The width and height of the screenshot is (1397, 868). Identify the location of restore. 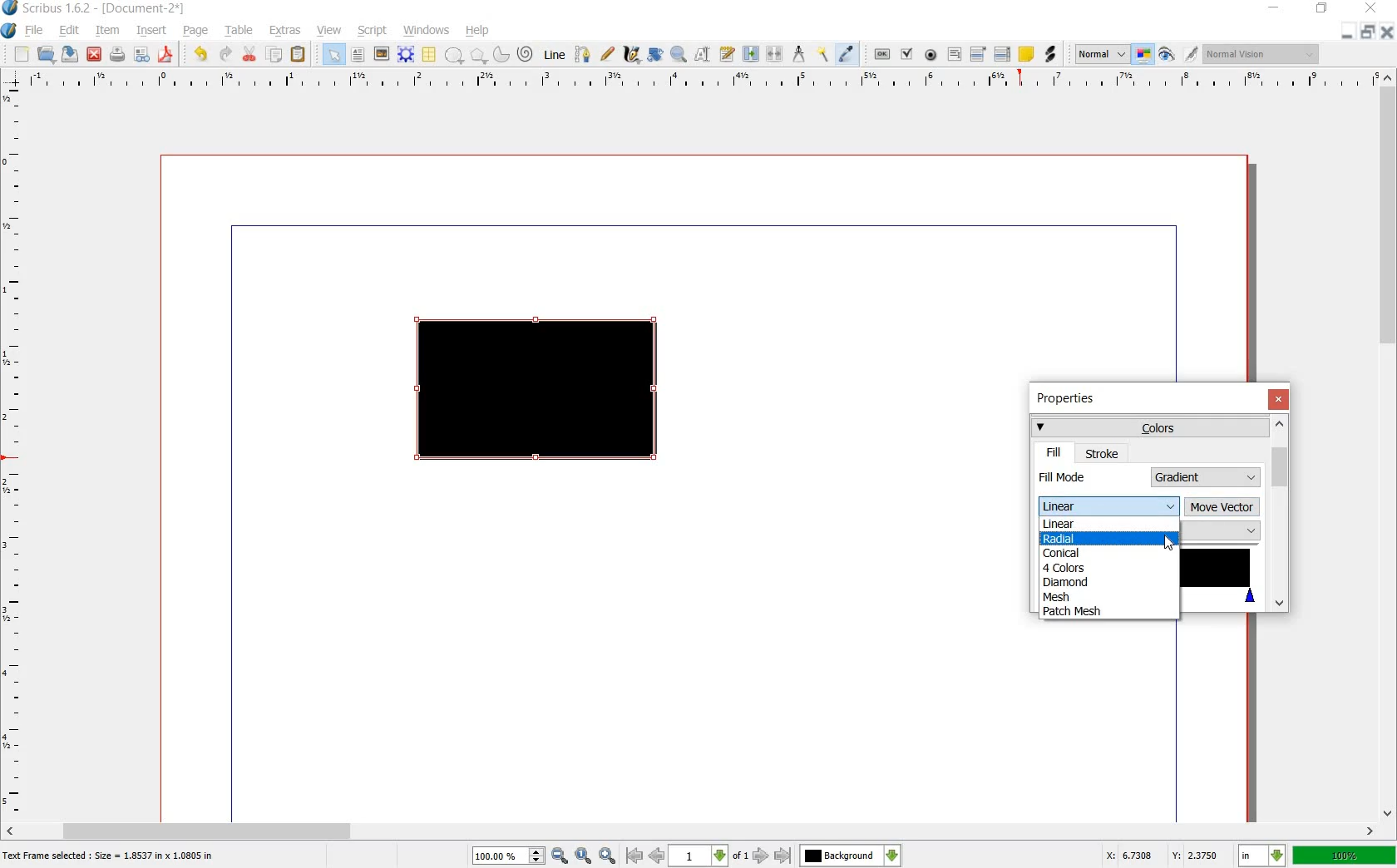
(1322, 11).